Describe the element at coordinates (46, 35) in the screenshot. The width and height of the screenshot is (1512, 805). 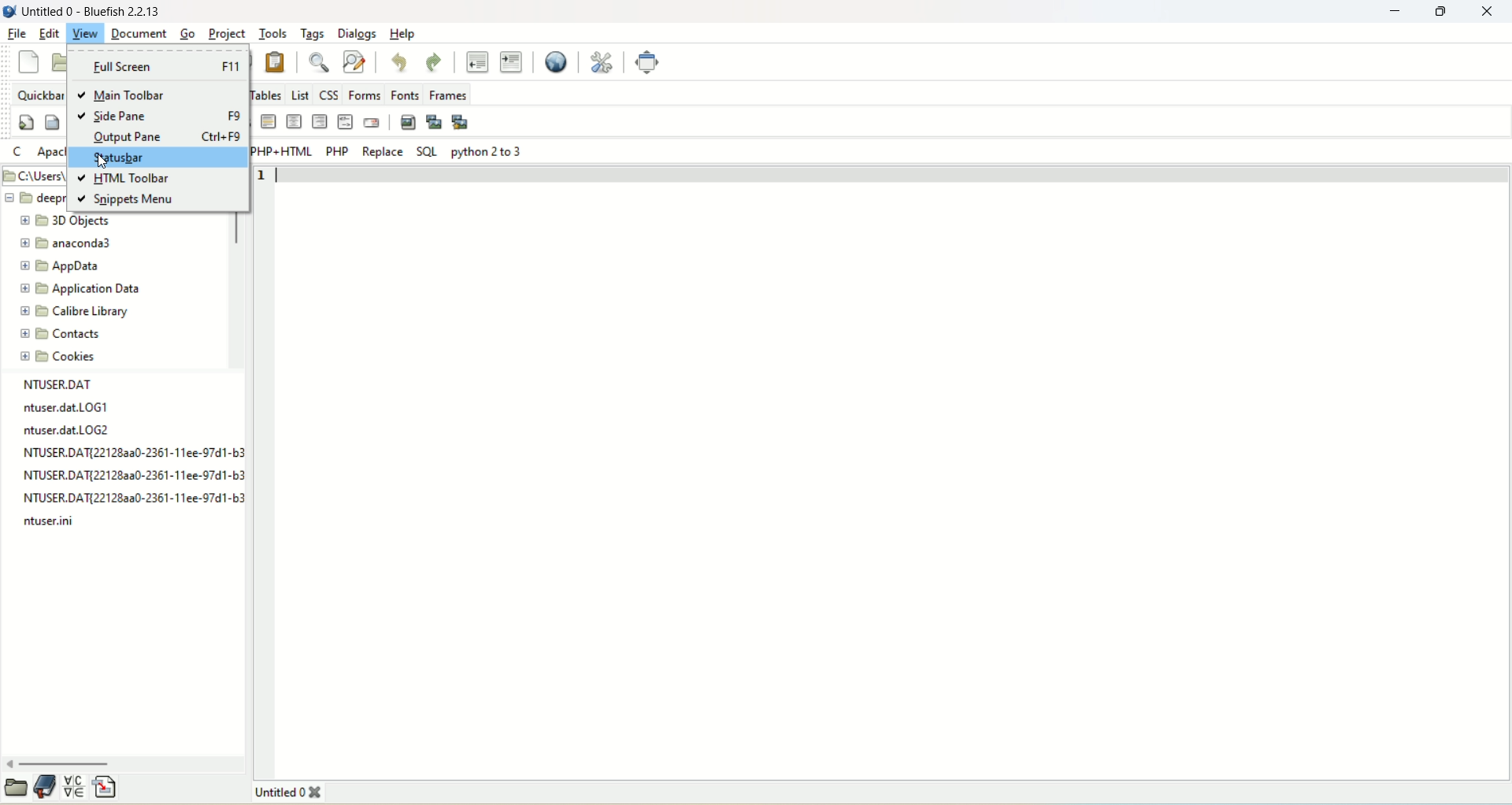
I see `edit` at that location.